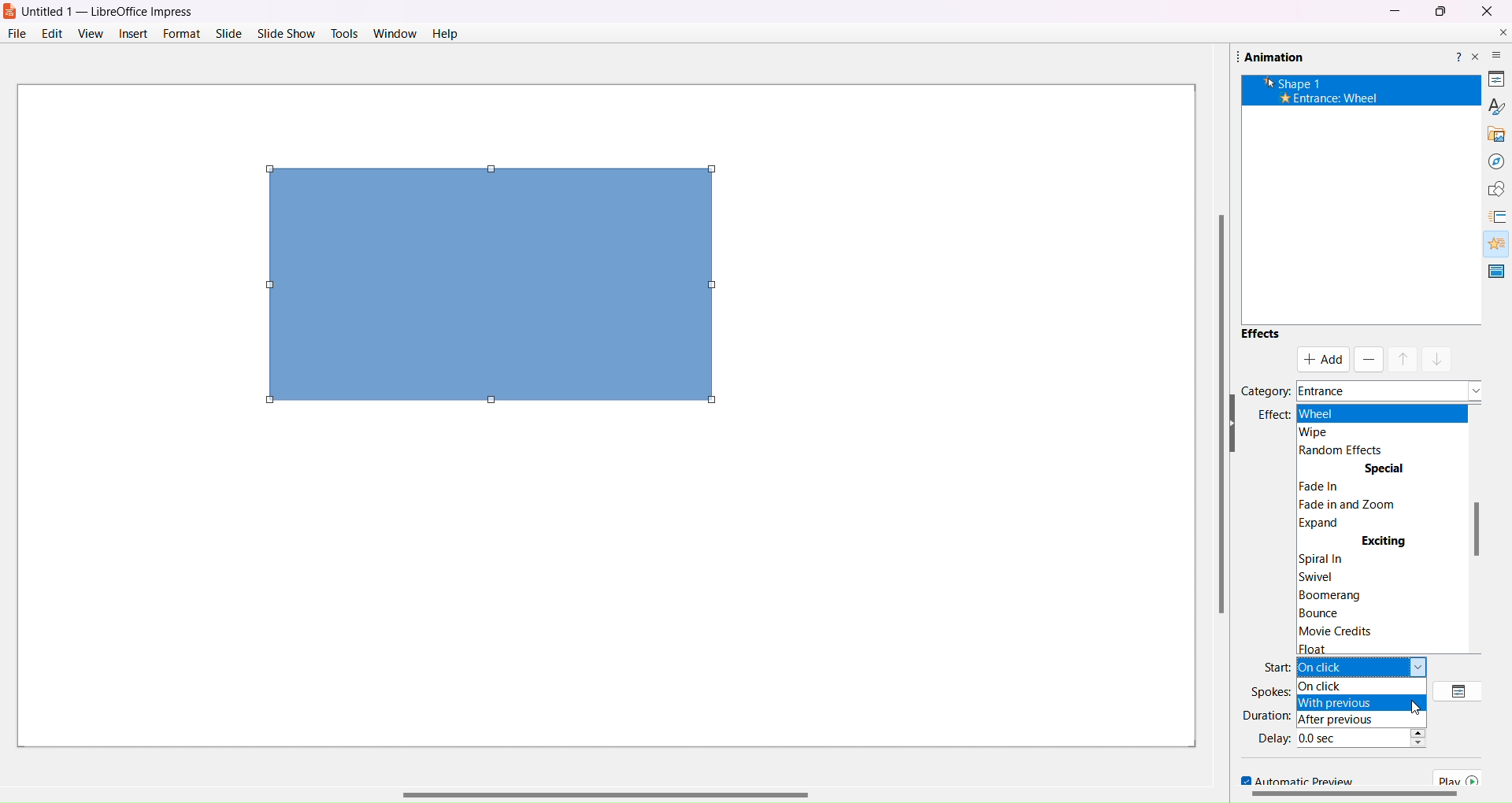  What do you see at coordinates (1272, 738) in the screenshot?
I see `Delay` at bounding box center [1272, 738].